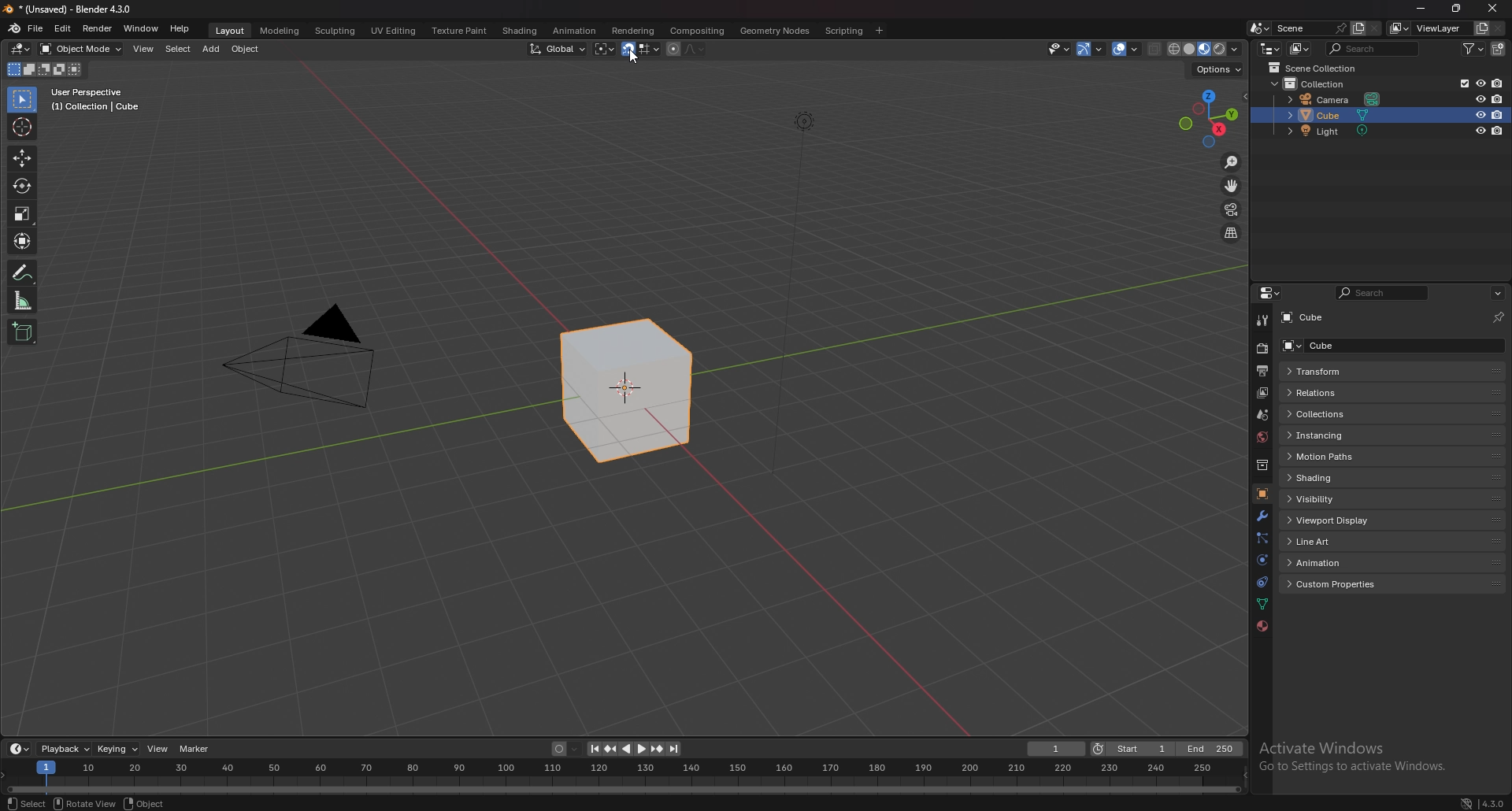 The image size is (1512, 811). What do you see at coordinates (566, 749) in the screenshot?
I see `auto keying` at bounding box center [566, 749].